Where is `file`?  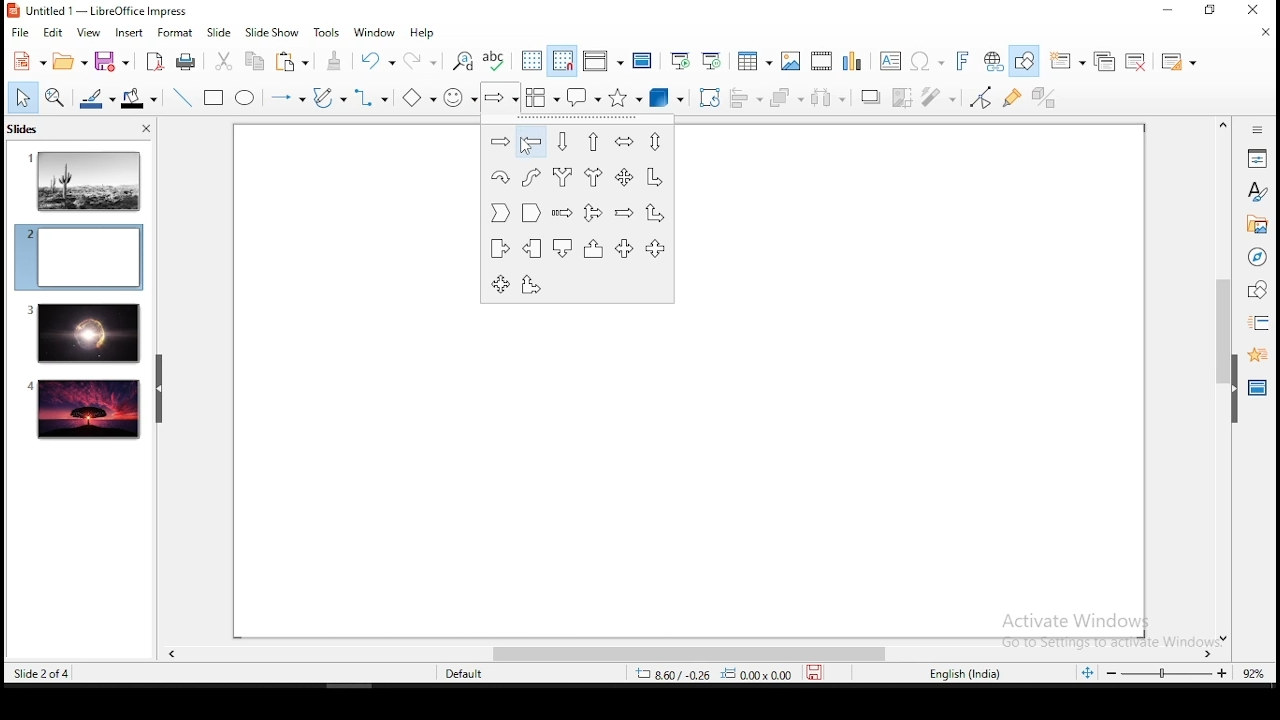
file is located at coordinates (21, 33).